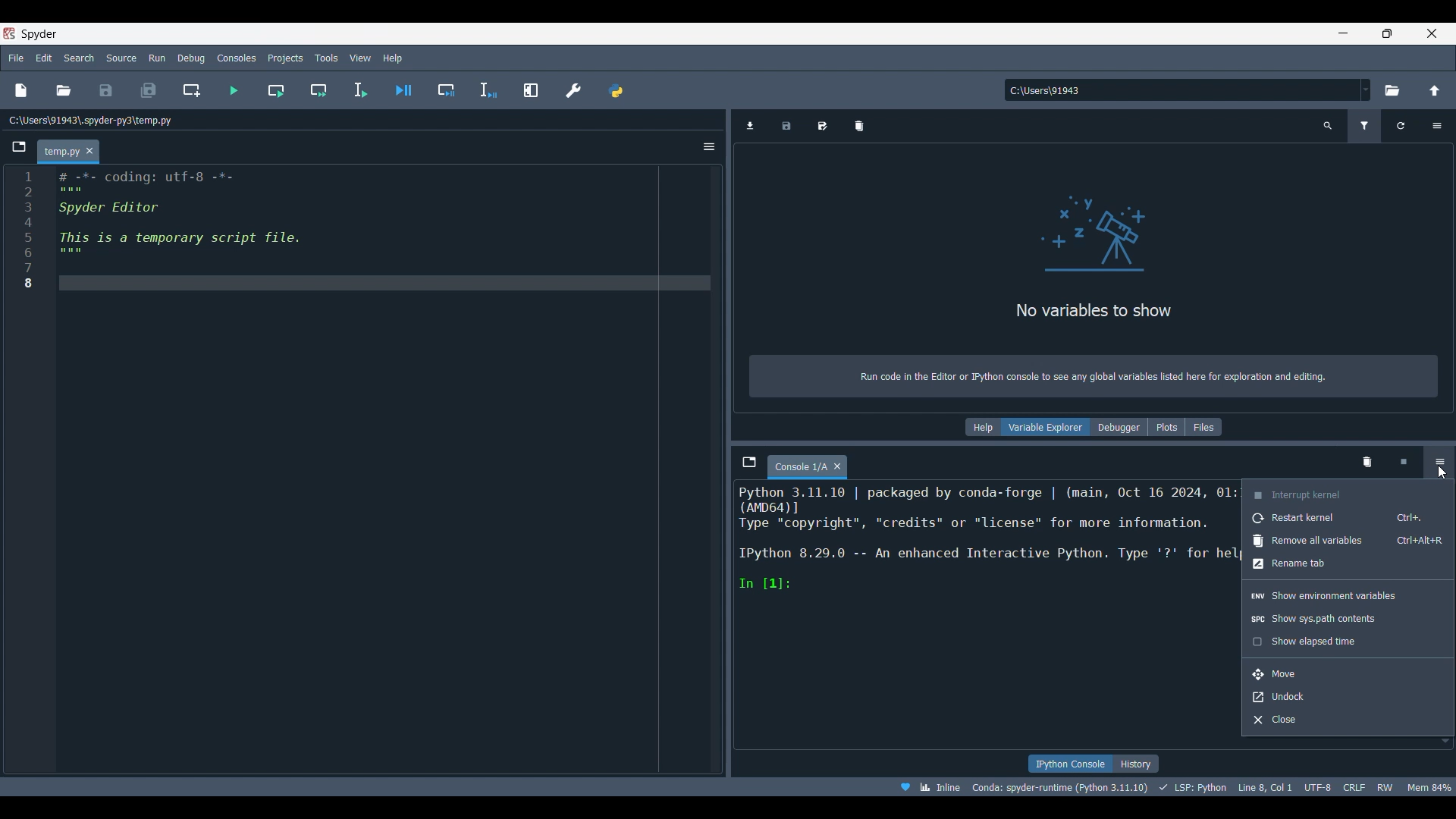 This screenshot has height=819, width=1456. What do you see at coordinates (1046, 427) in the screenshot?
I see `Variable explorer` at bounding box center [1046, 427].